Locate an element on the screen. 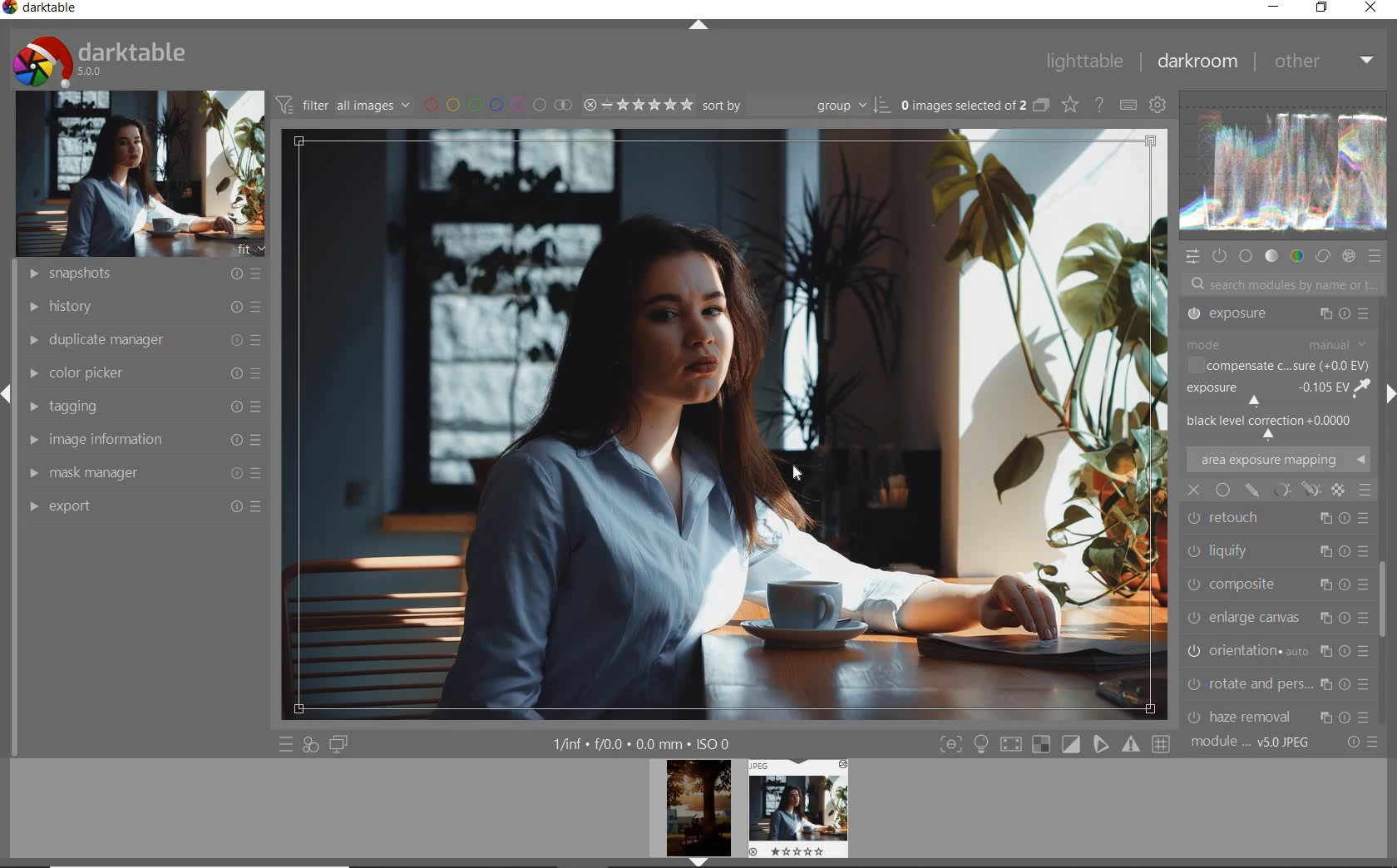  MODULE ORDER is located at coordinates (1251, 743).